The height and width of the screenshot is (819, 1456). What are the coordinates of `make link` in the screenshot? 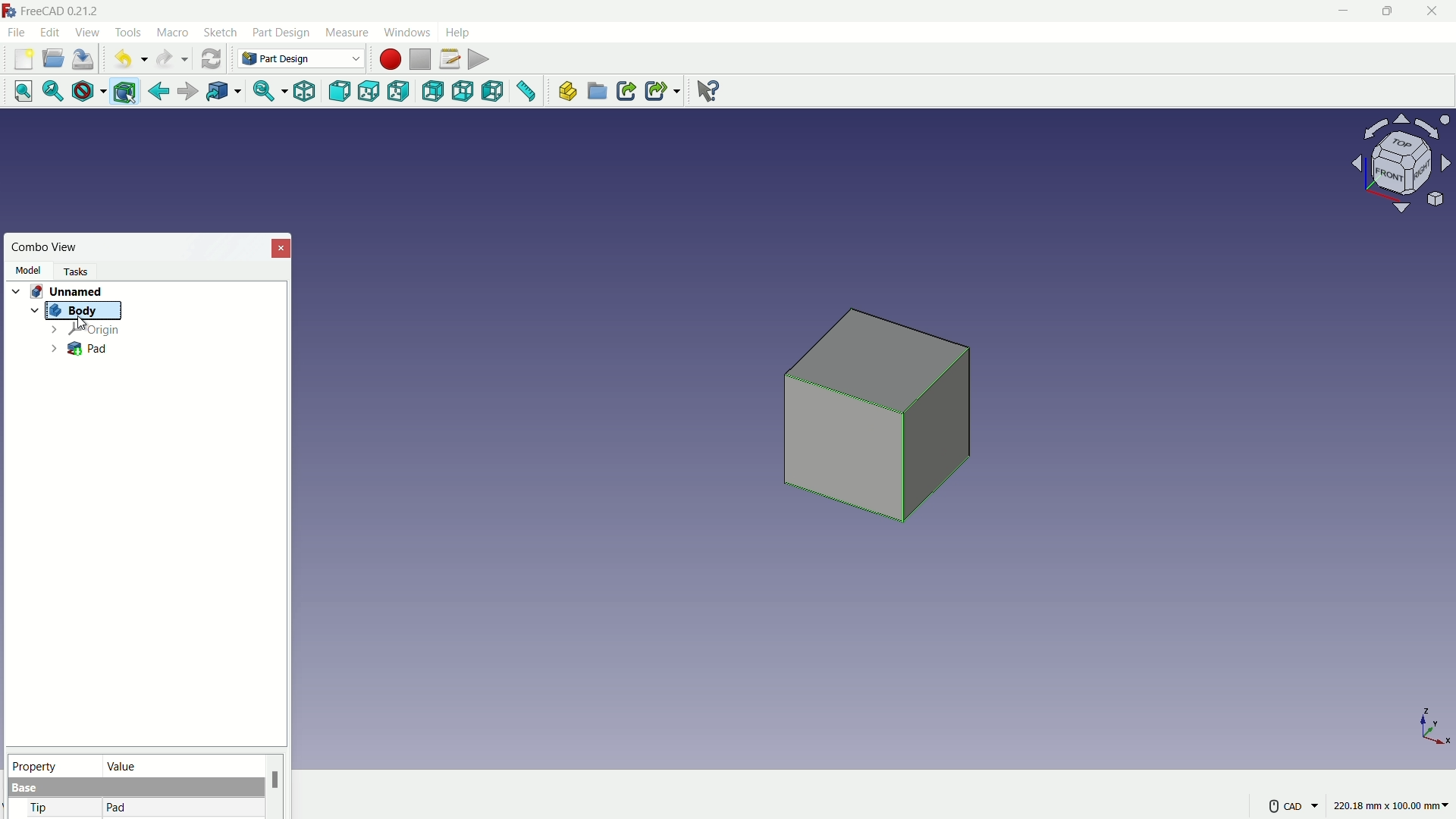 It's located at (626, 93).